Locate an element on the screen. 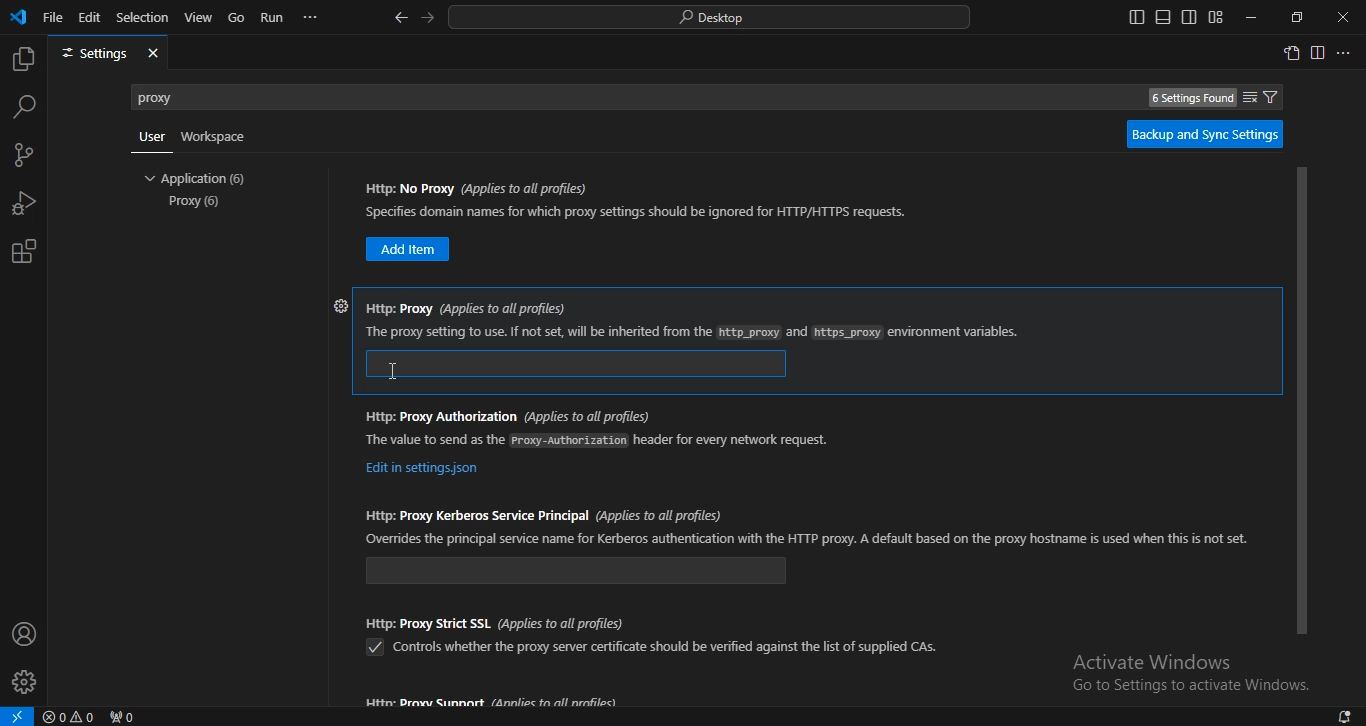 The image size is (1366, 726). Cursor is located at coordinates (392, 370).